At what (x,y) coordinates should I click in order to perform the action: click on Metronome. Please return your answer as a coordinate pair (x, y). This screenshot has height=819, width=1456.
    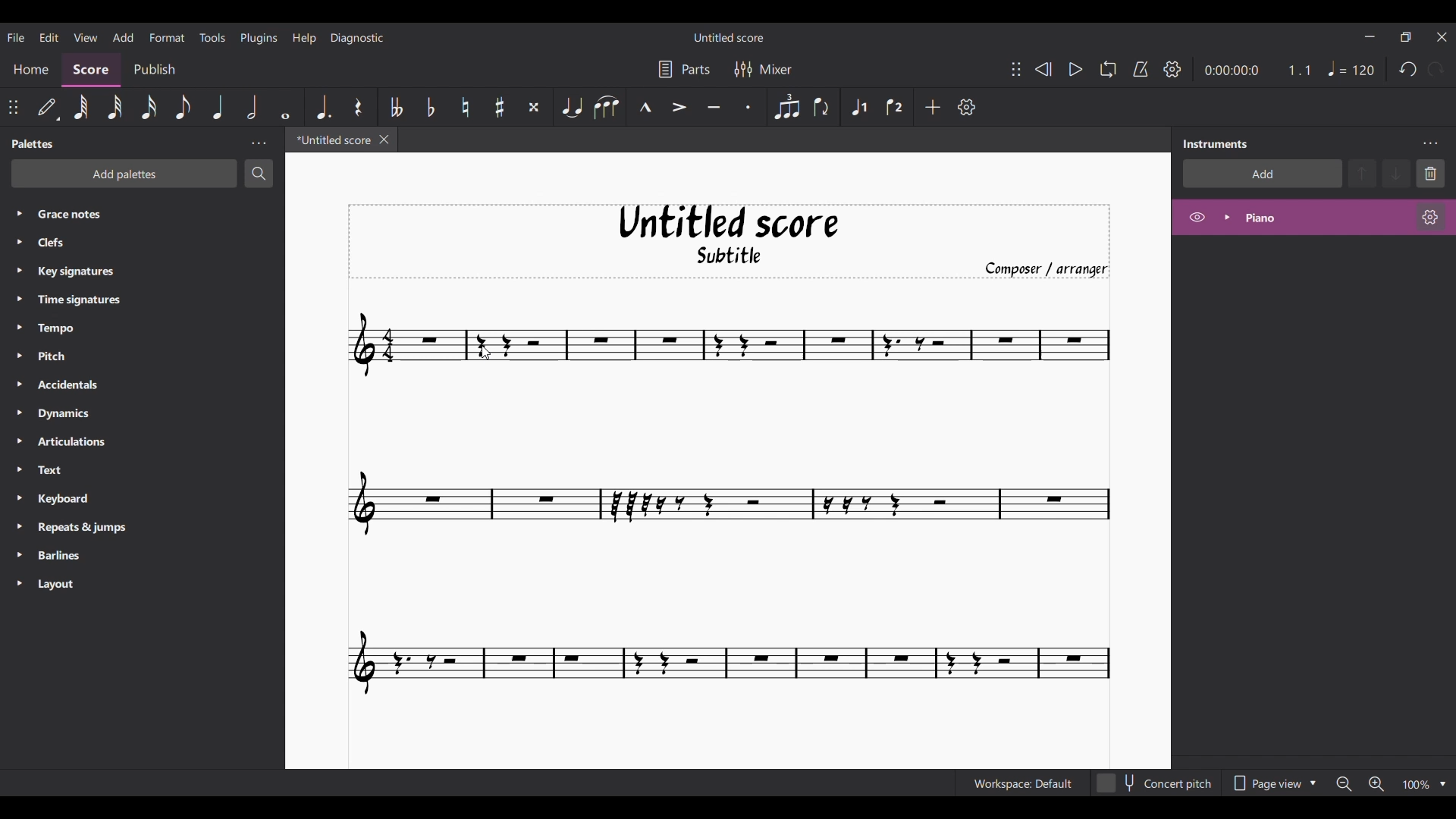
    Looking at the image, I should click on (1141, 69).